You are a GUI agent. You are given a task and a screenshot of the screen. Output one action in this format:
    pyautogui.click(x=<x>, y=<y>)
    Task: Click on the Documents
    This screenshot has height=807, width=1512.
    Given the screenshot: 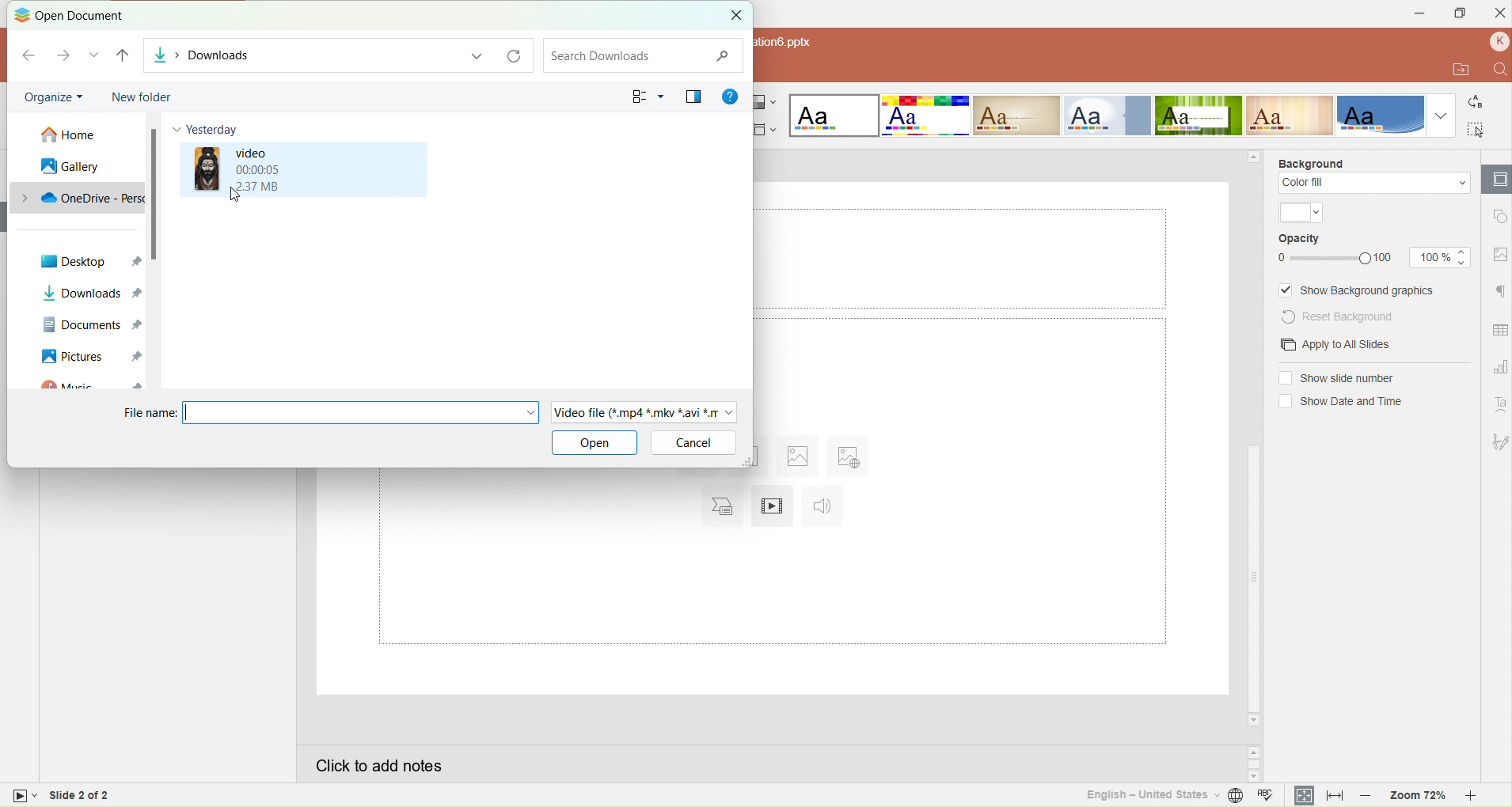 What is the action you would take?
    pyautogui.click(x=89, y=324)
    